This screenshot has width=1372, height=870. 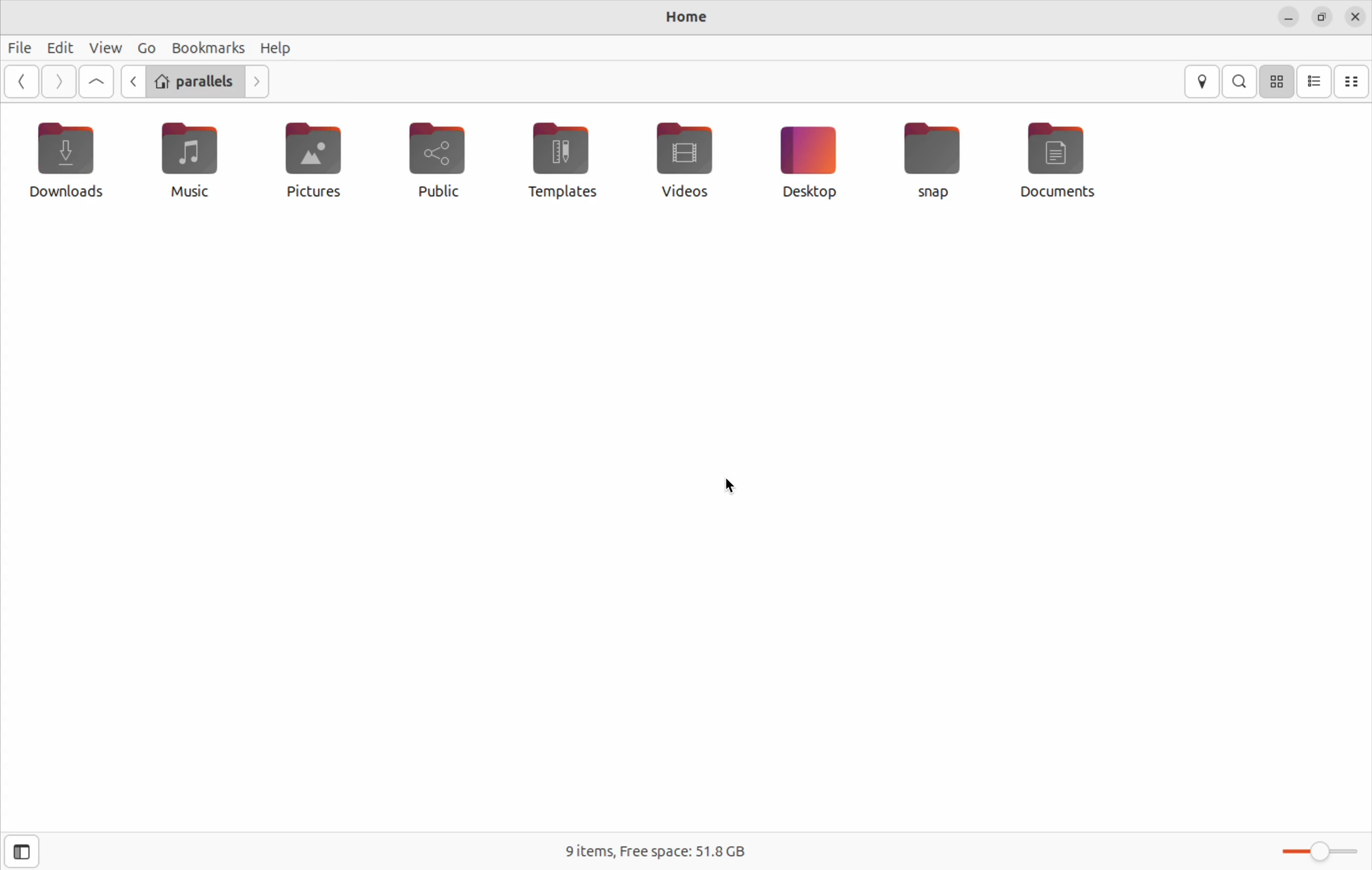 I want to click on video files, so click(x=687, y=164).